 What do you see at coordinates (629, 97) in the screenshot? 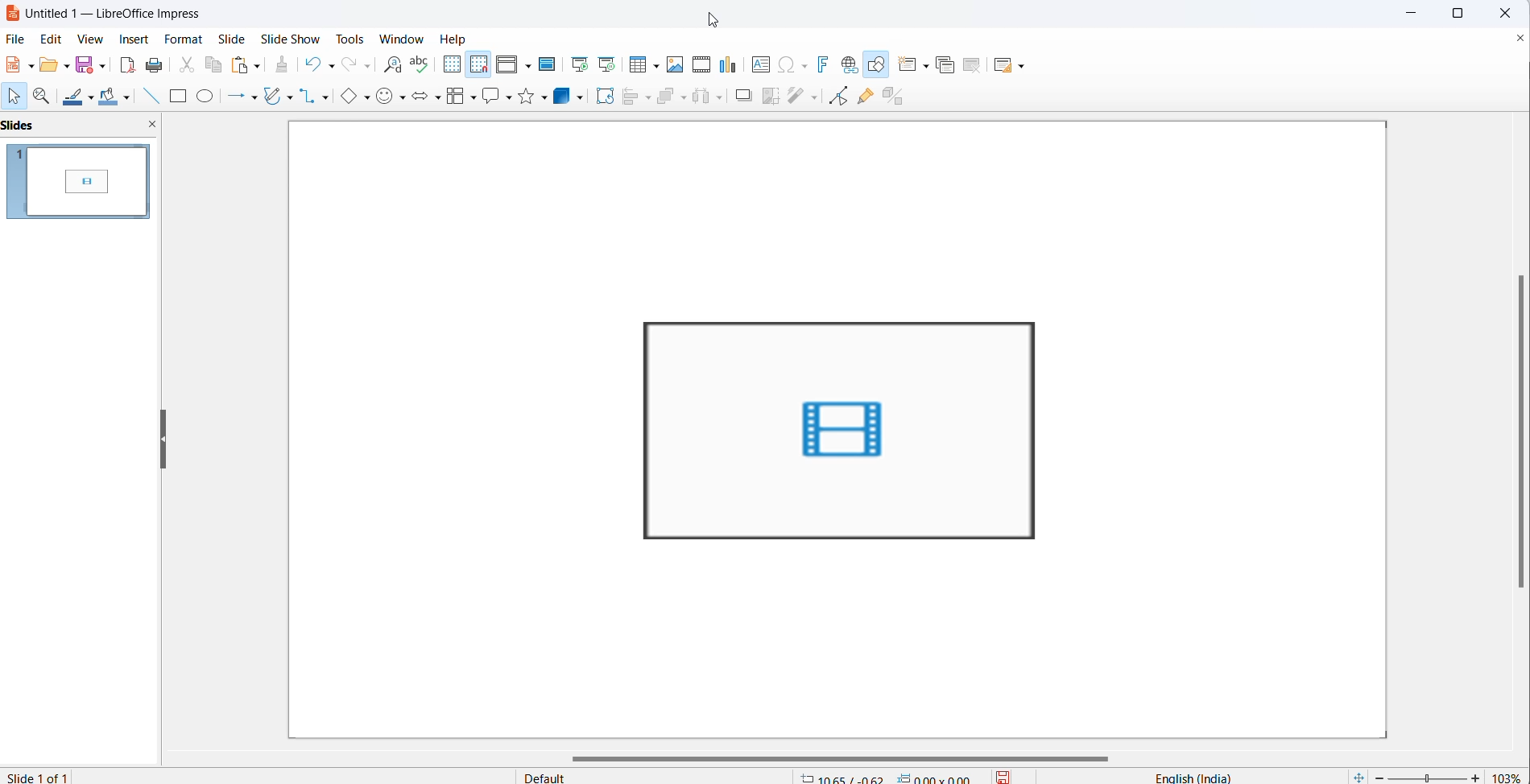
I see `align` at bounding box center [629, 97].